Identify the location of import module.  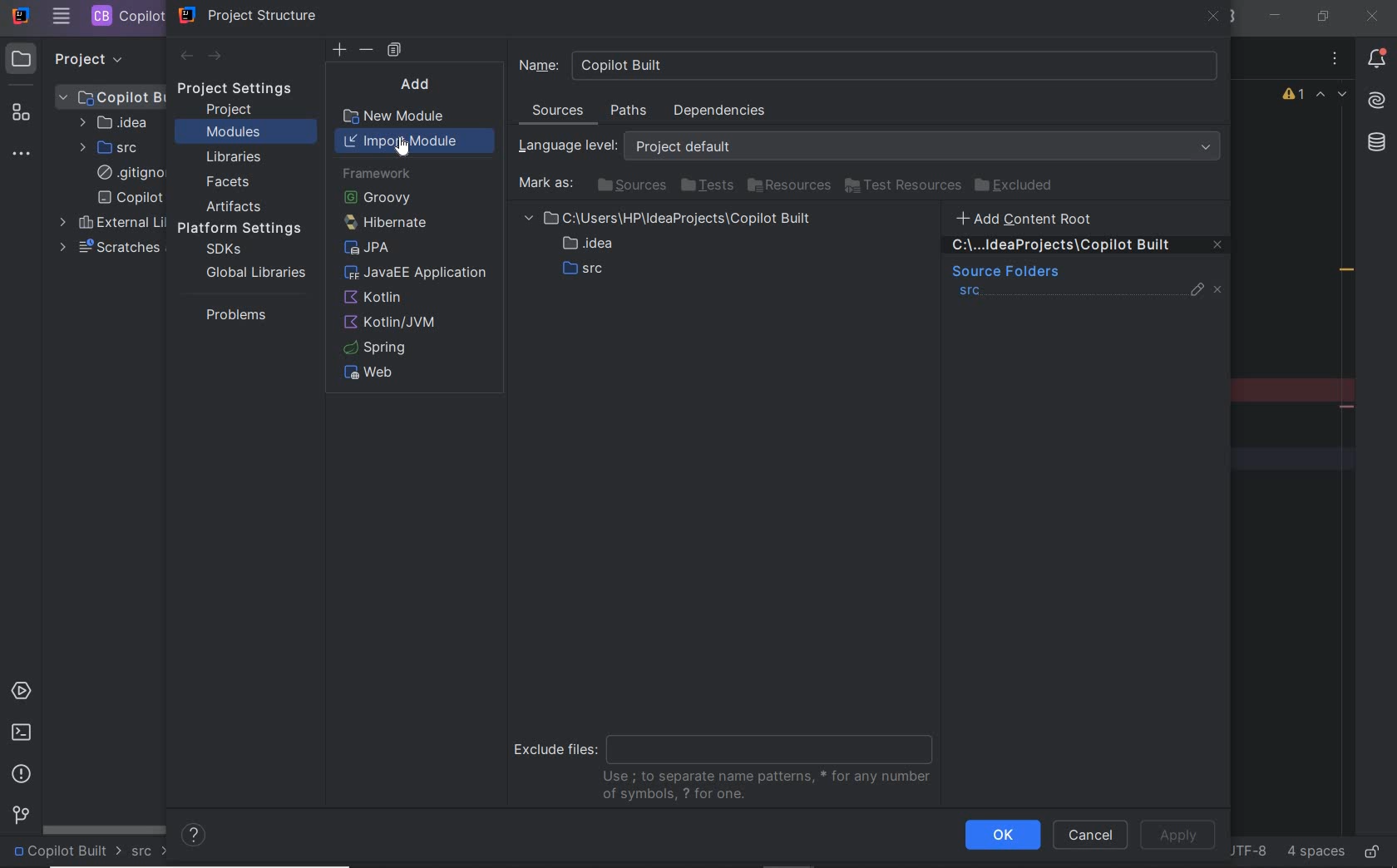
(416, 141).